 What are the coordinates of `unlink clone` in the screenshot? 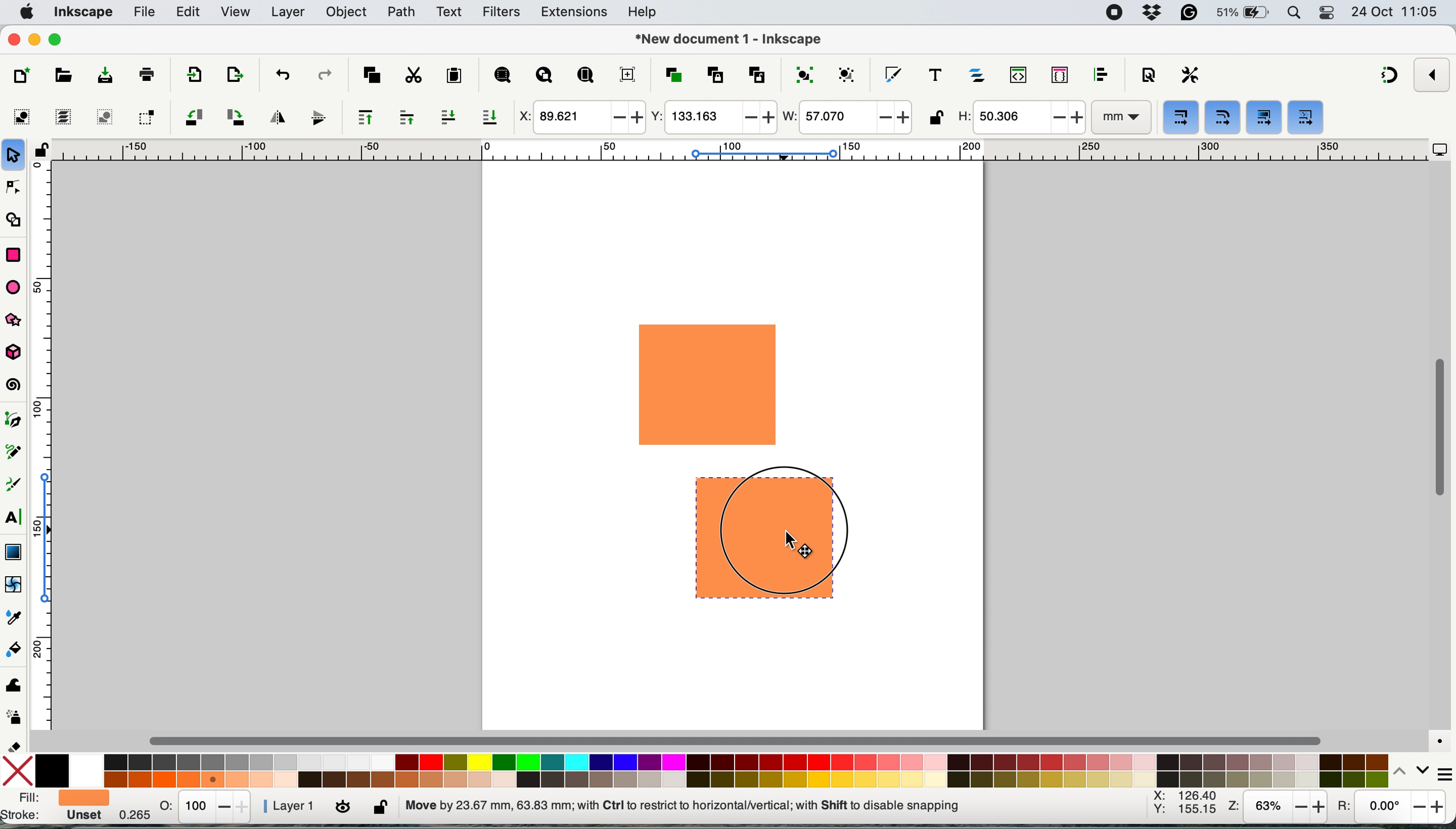 It's located at (757, 73).